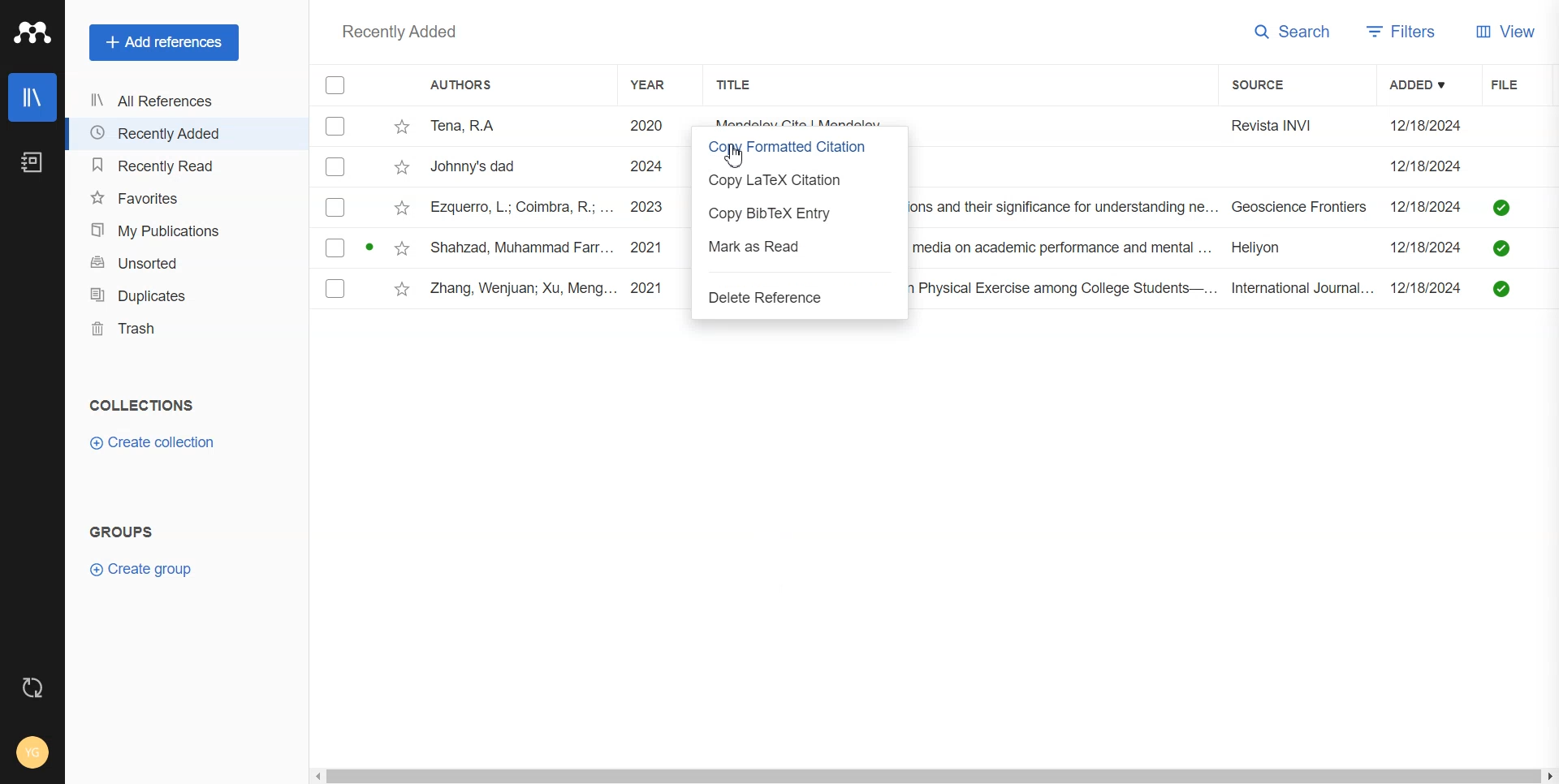 The height and width of the screenshot is (784, 1559). I want to click on My publication, so click(187, 230).